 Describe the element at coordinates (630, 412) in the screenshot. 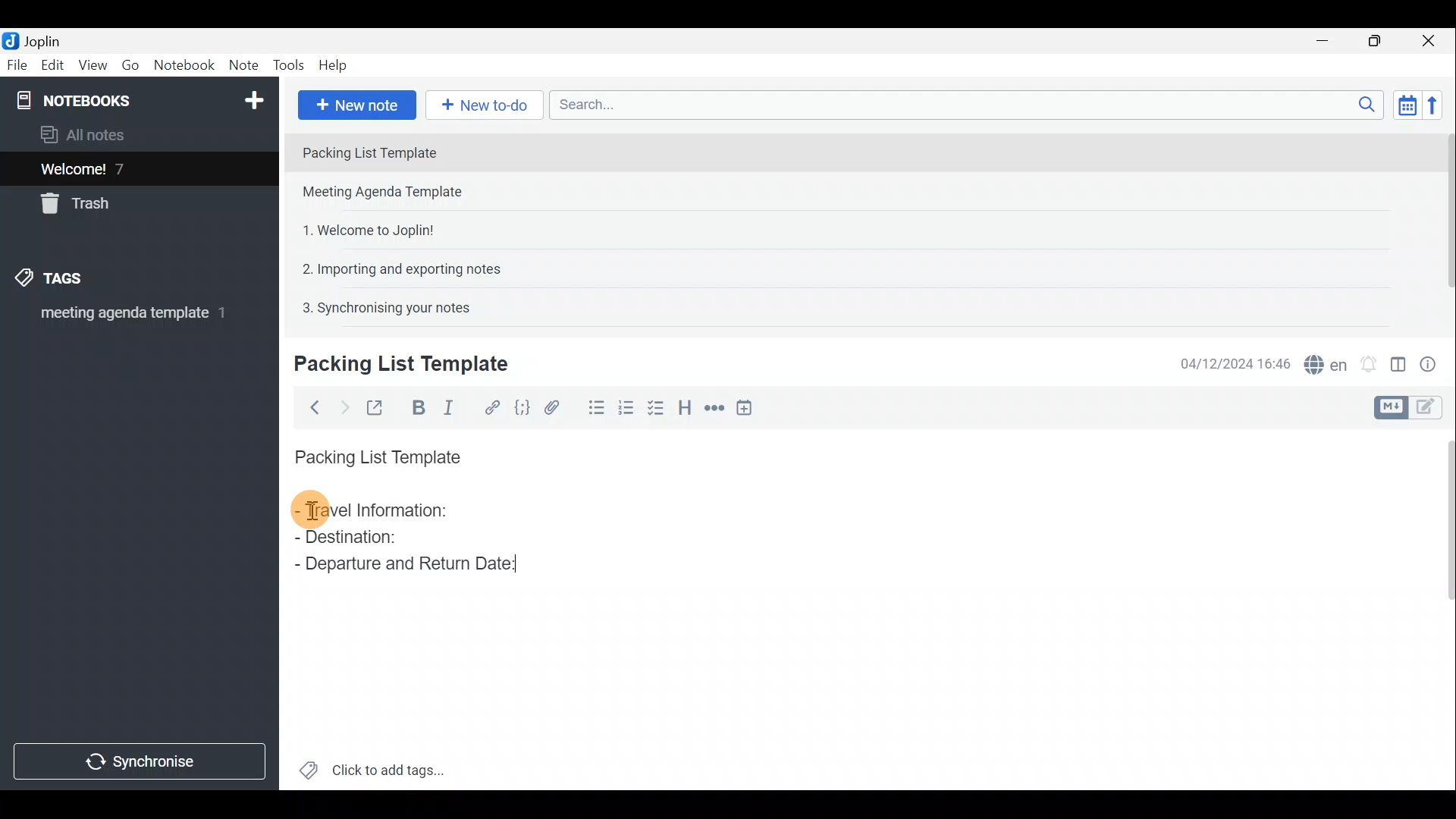

I see `Numbered list` at that location.